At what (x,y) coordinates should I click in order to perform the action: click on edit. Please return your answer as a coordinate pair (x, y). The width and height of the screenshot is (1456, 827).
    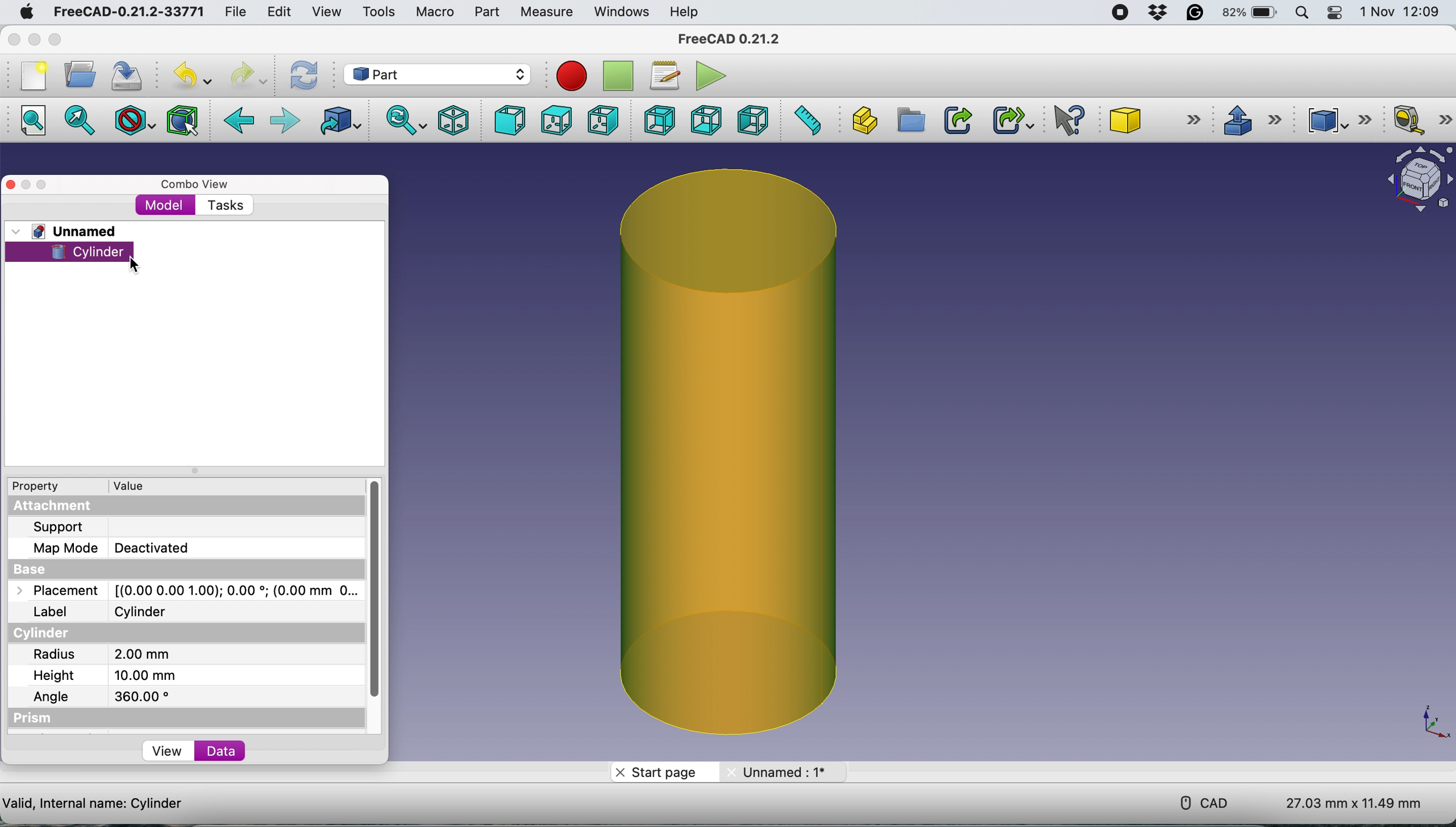
    Looking at the image, I should click on (282, 13).